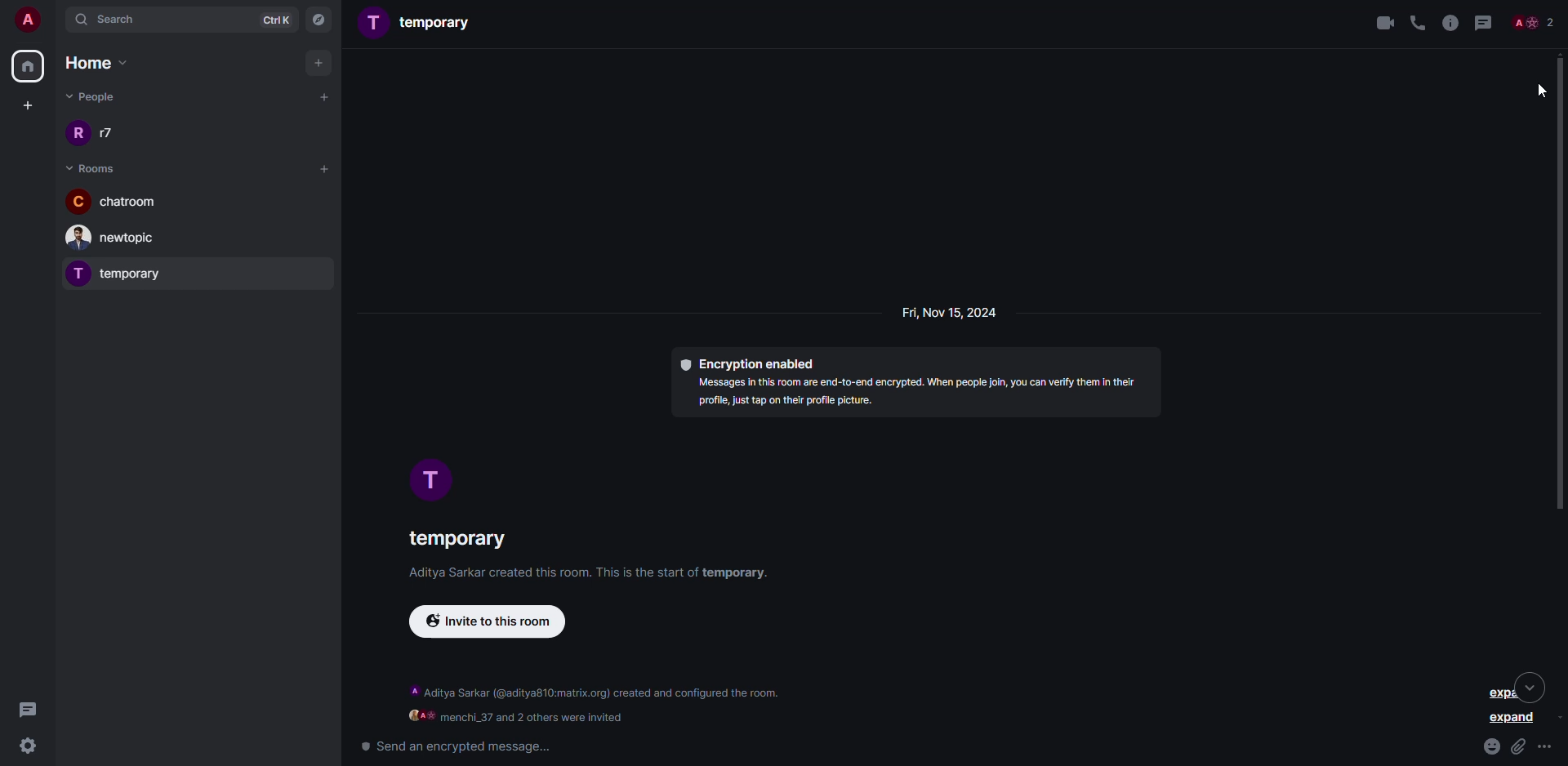 This screenshot has width=1568, height=766. What do you see at coordinates (1538, 91) in the screenshot?
I see `cursor` at bounding box center [1538, 91].